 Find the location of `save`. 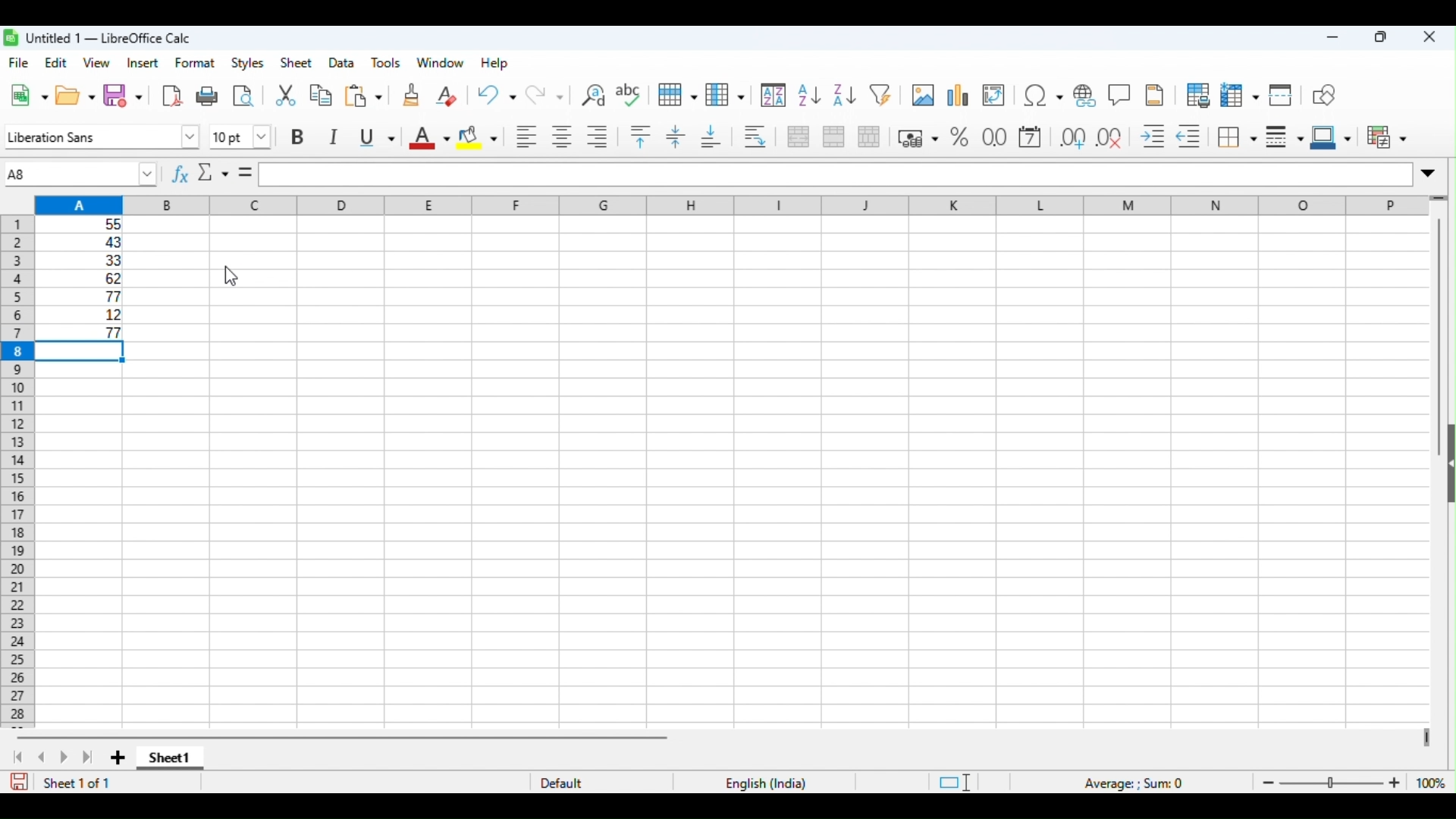

save is located at coordinates (19, 782).